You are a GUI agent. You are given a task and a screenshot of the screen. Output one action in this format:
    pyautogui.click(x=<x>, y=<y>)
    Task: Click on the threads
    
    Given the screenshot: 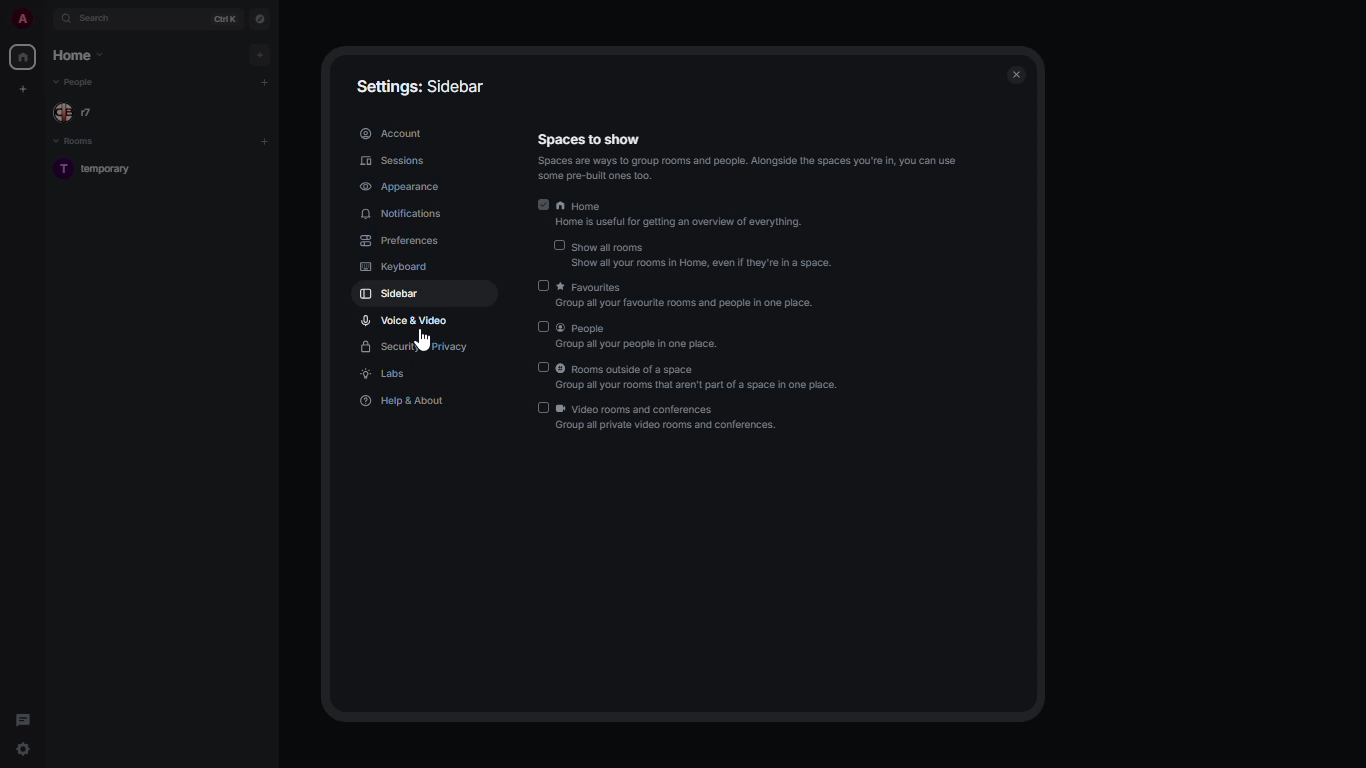 What is the action you would take?
    pyautogui.click(x=24, y=720)
    